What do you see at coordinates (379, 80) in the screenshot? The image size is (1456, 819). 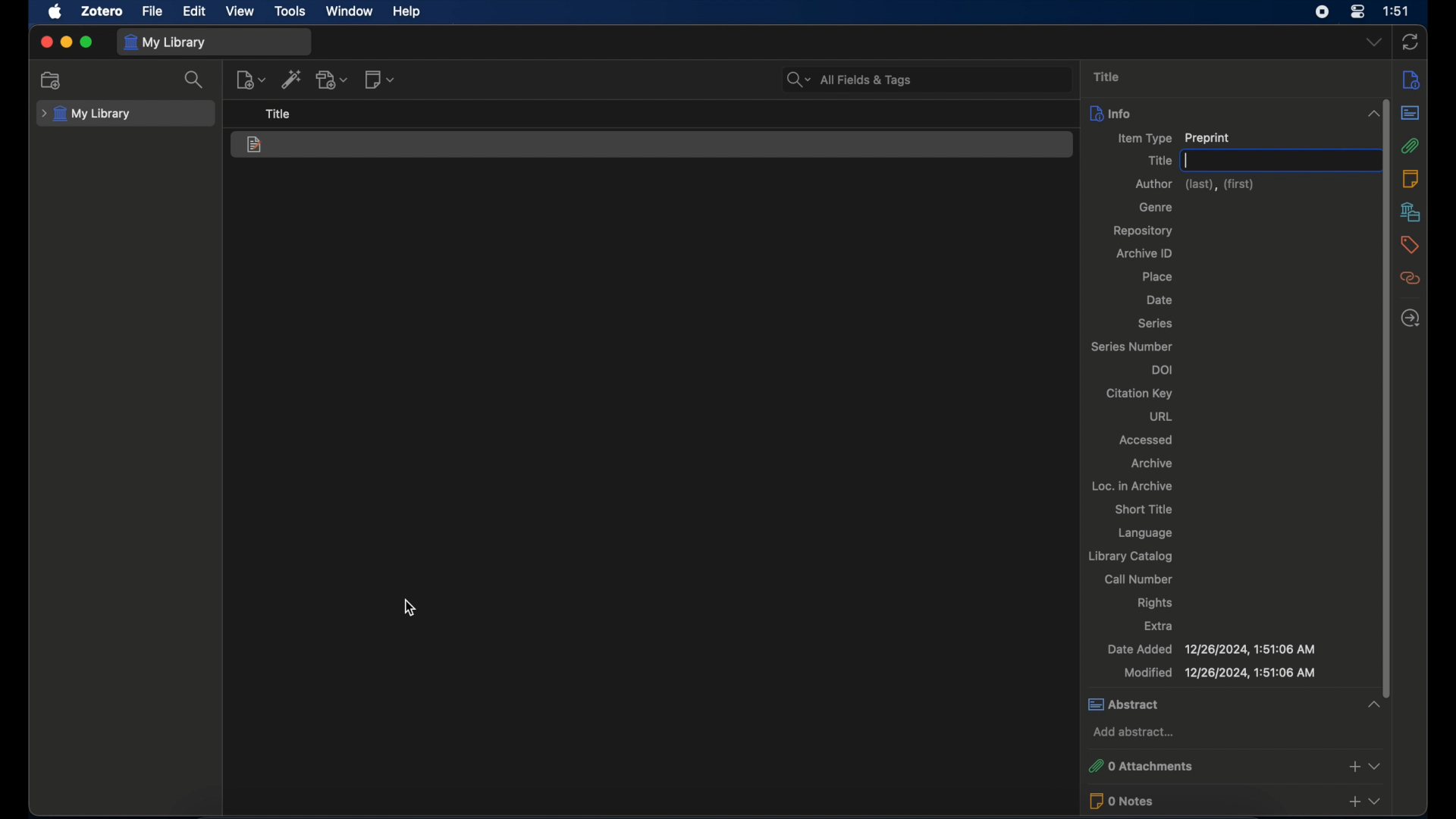 I see `new note` at bounding box center [379, 80].